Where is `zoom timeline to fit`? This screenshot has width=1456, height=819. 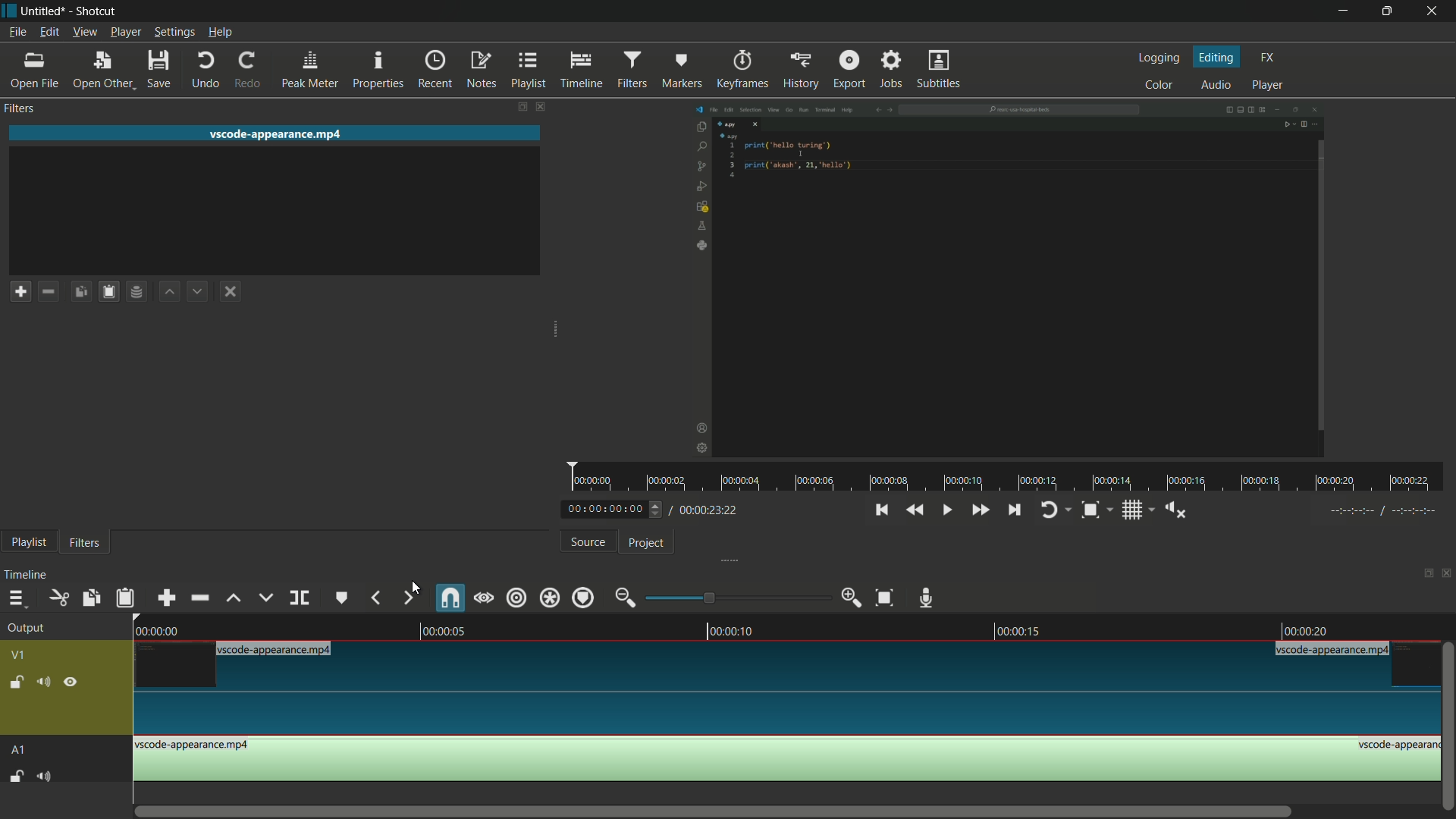
zoom timeline to fit is located at coordinates (884, 599).